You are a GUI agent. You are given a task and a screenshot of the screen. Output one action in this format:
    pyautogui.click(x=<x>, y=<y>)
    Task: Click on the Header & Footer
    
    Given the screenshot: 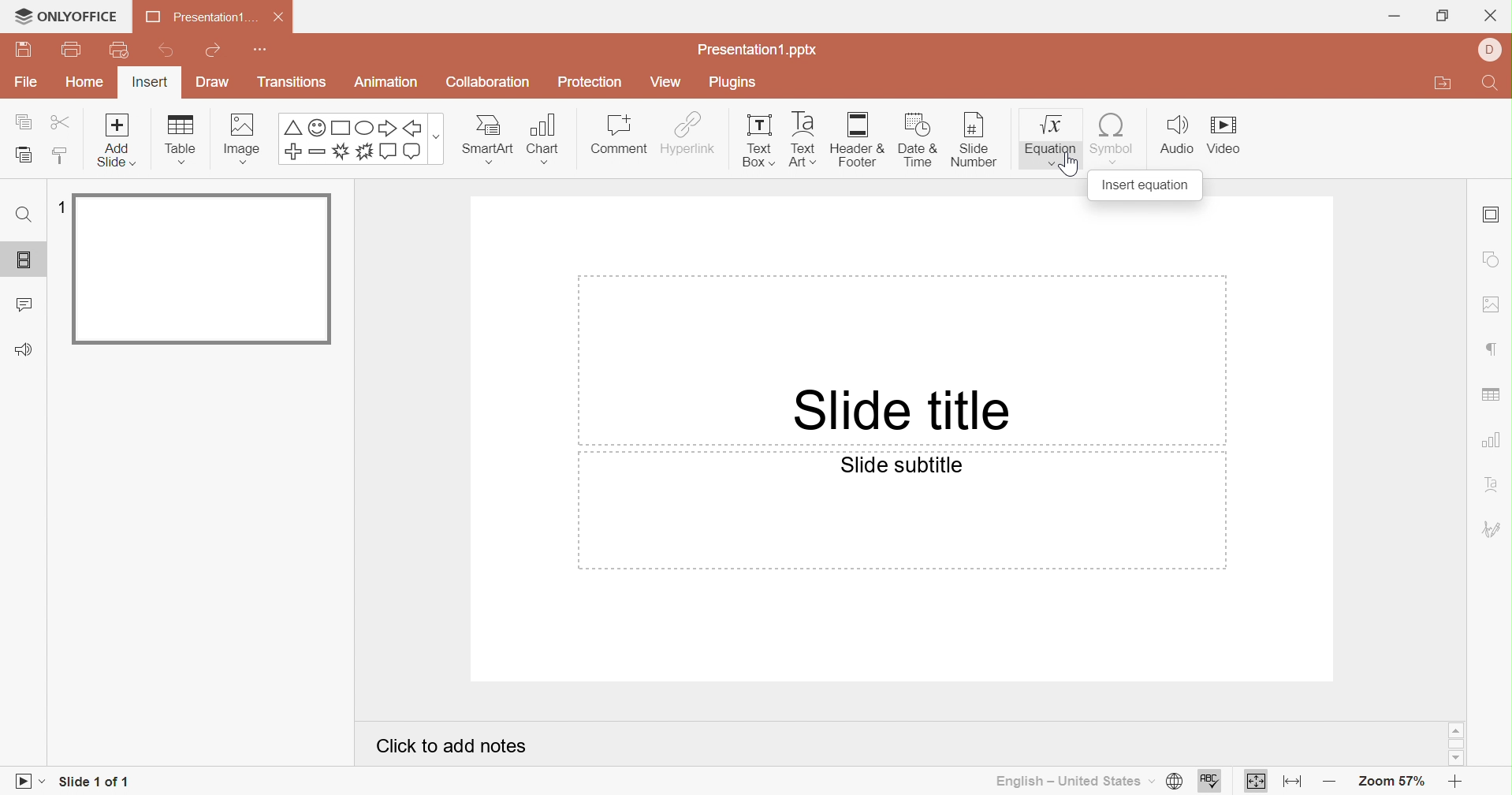 What is the action you would take?
    pyautogui.click(x=859, y=140)
    